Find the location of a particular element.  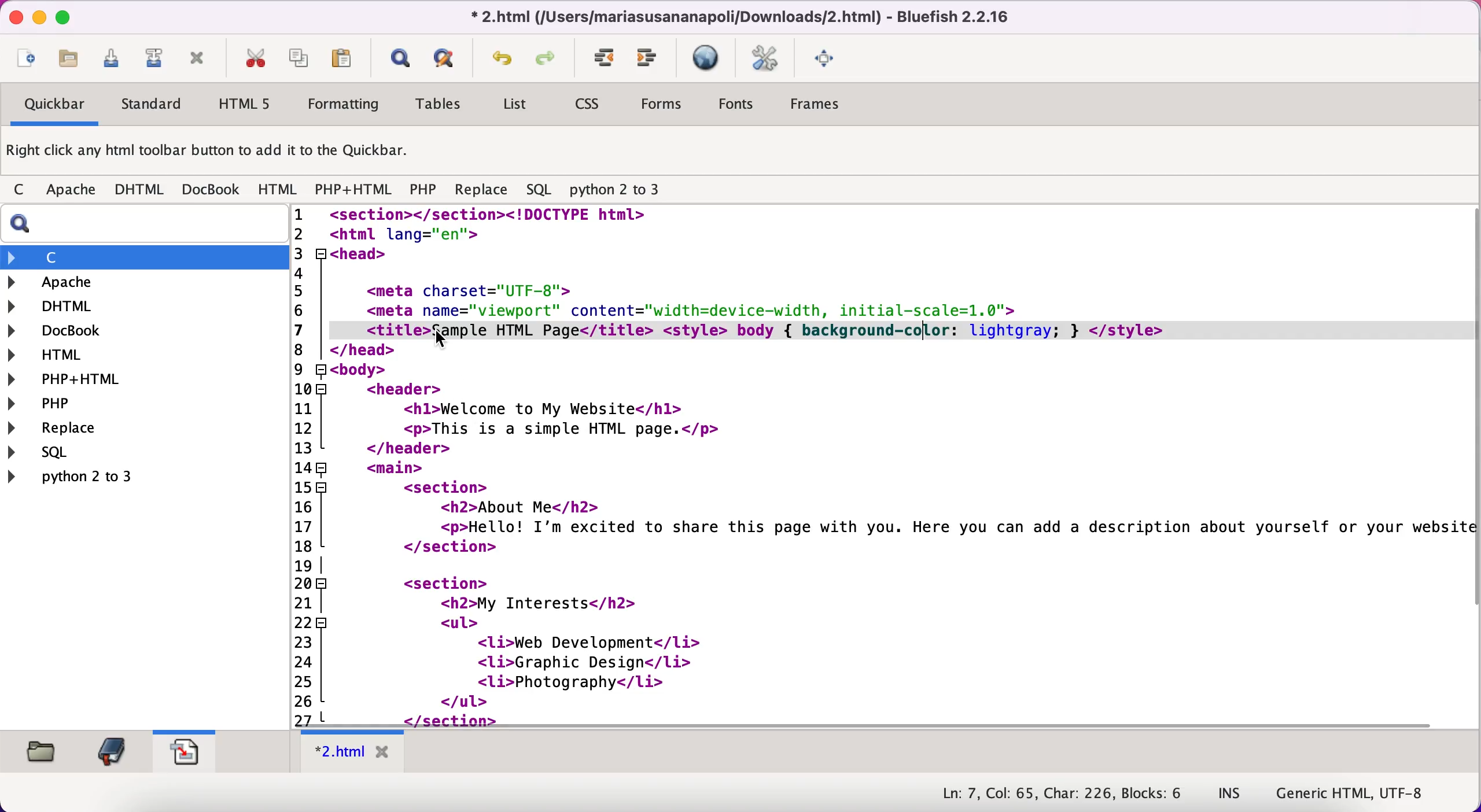

full screen is located at coordinates (827, 57).